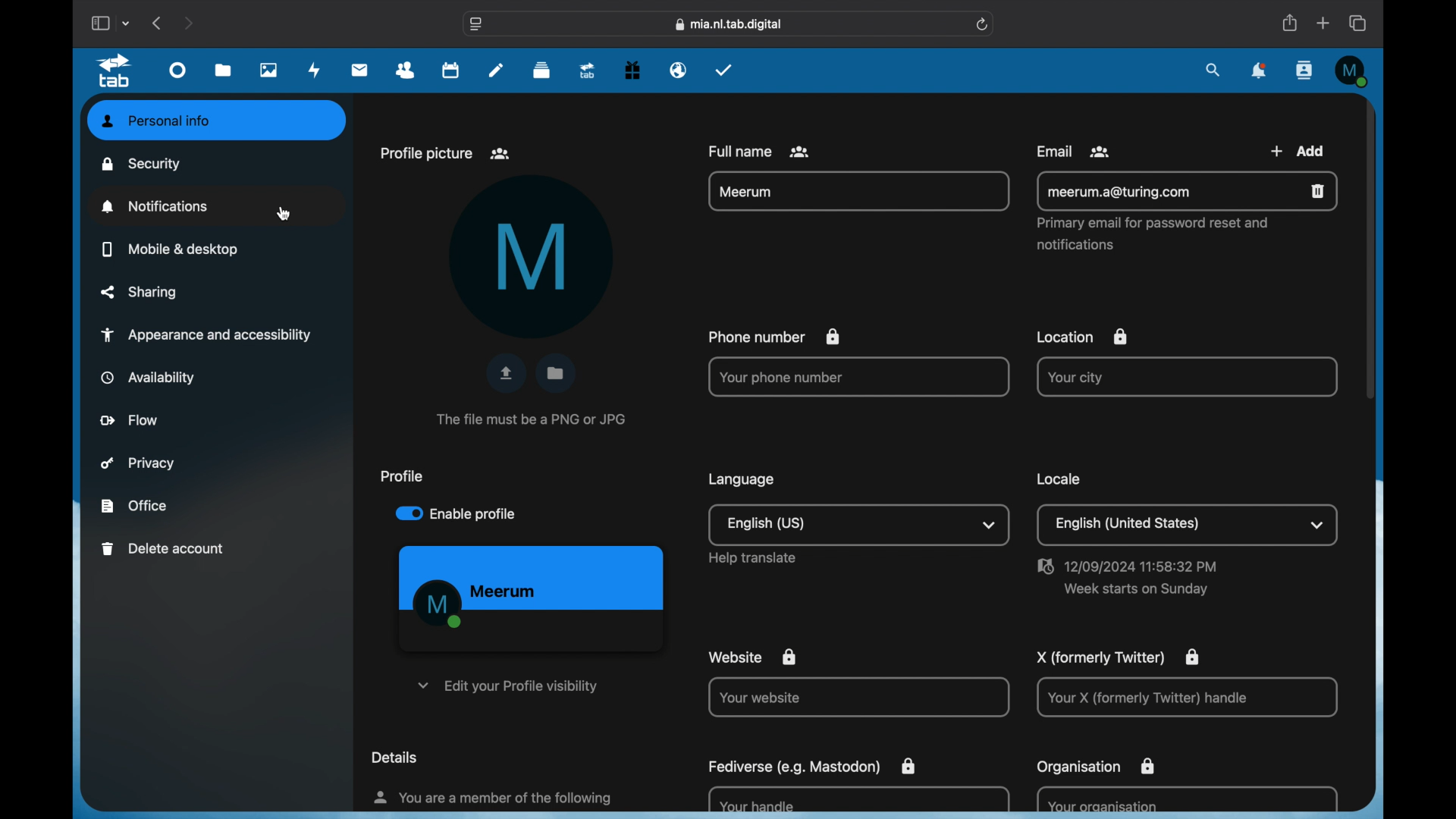 Image resolution: width=1456 pixels, height=819 pixels. I want to click on tab, so click(115, 71).